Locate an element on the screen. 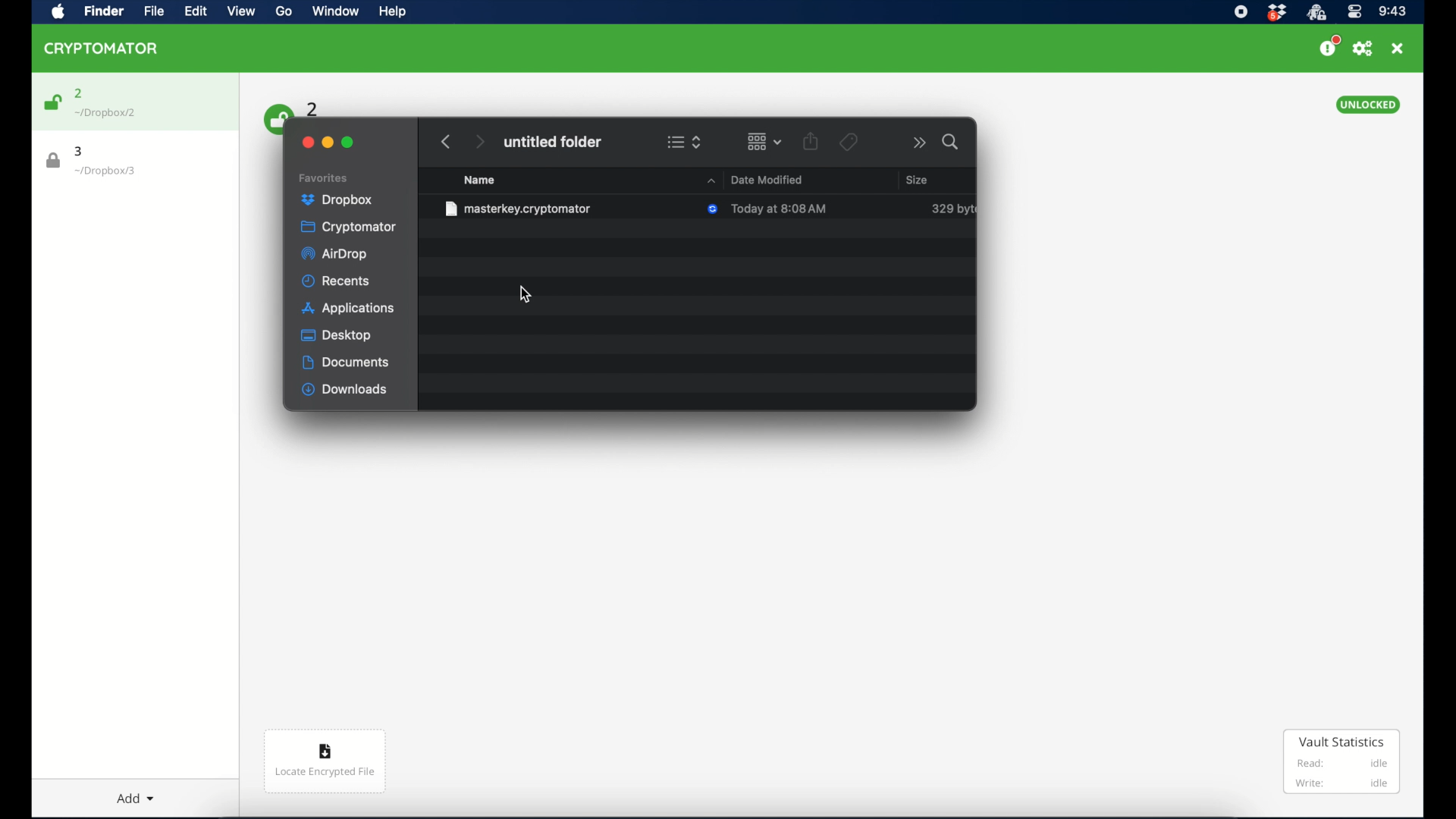  untitled folder is located at coordinates (552, 142).